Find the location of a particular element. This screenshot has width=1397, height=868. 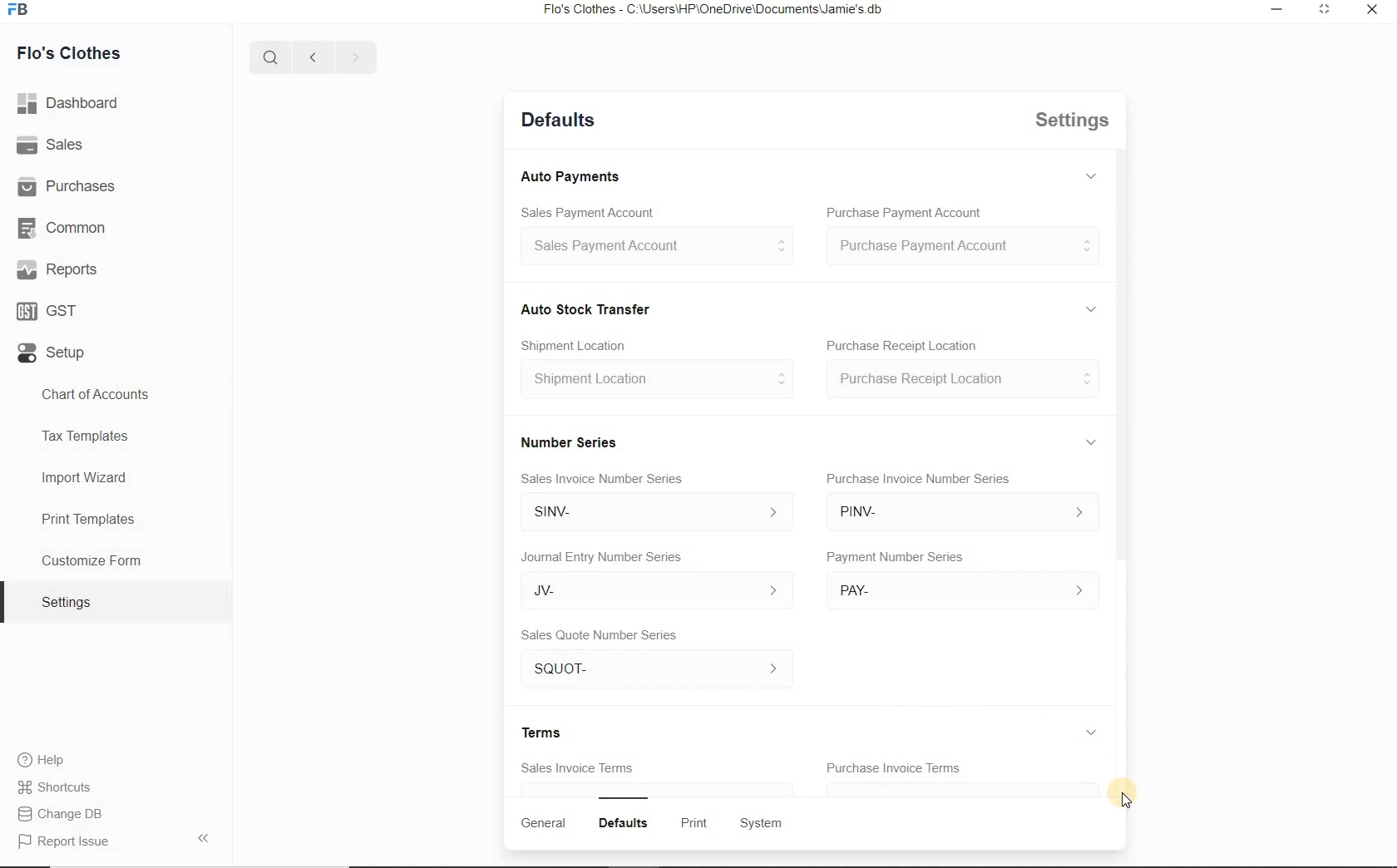

Vertical scroll bar is located at coordinates (1118, 356).